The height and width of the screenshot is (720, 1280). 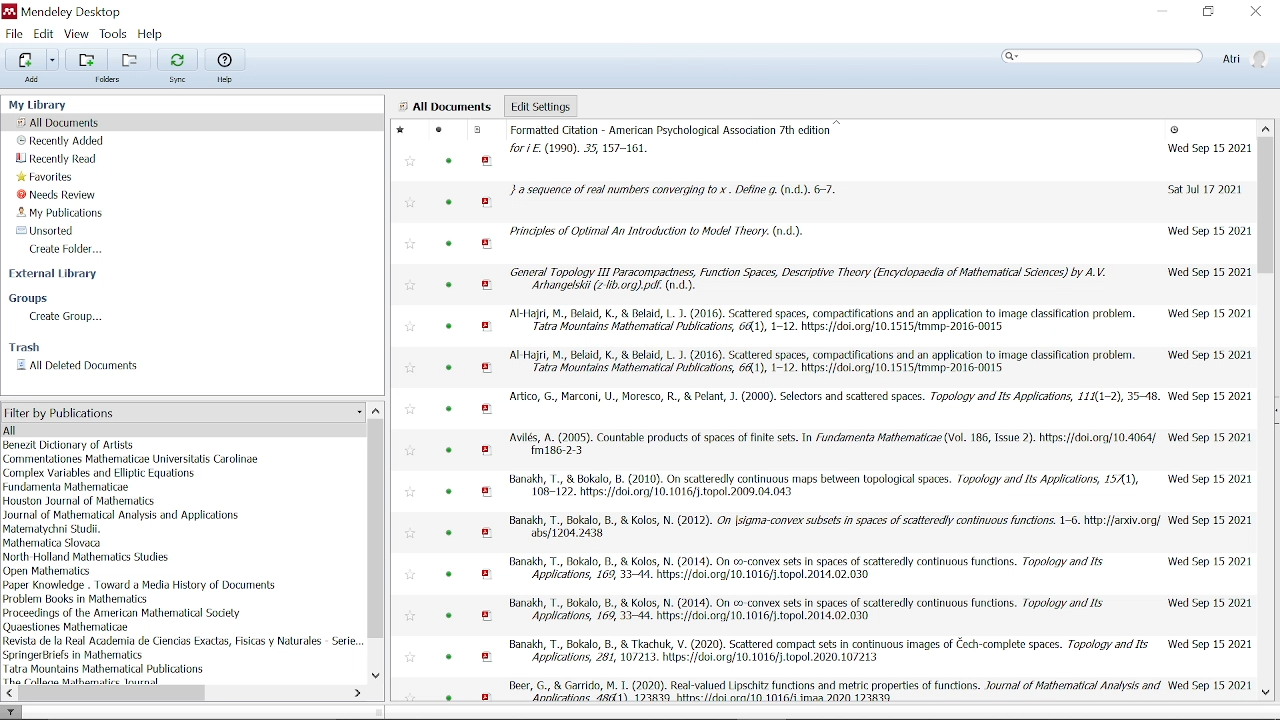 I want to click on Trash, so click(x=24, y=347).